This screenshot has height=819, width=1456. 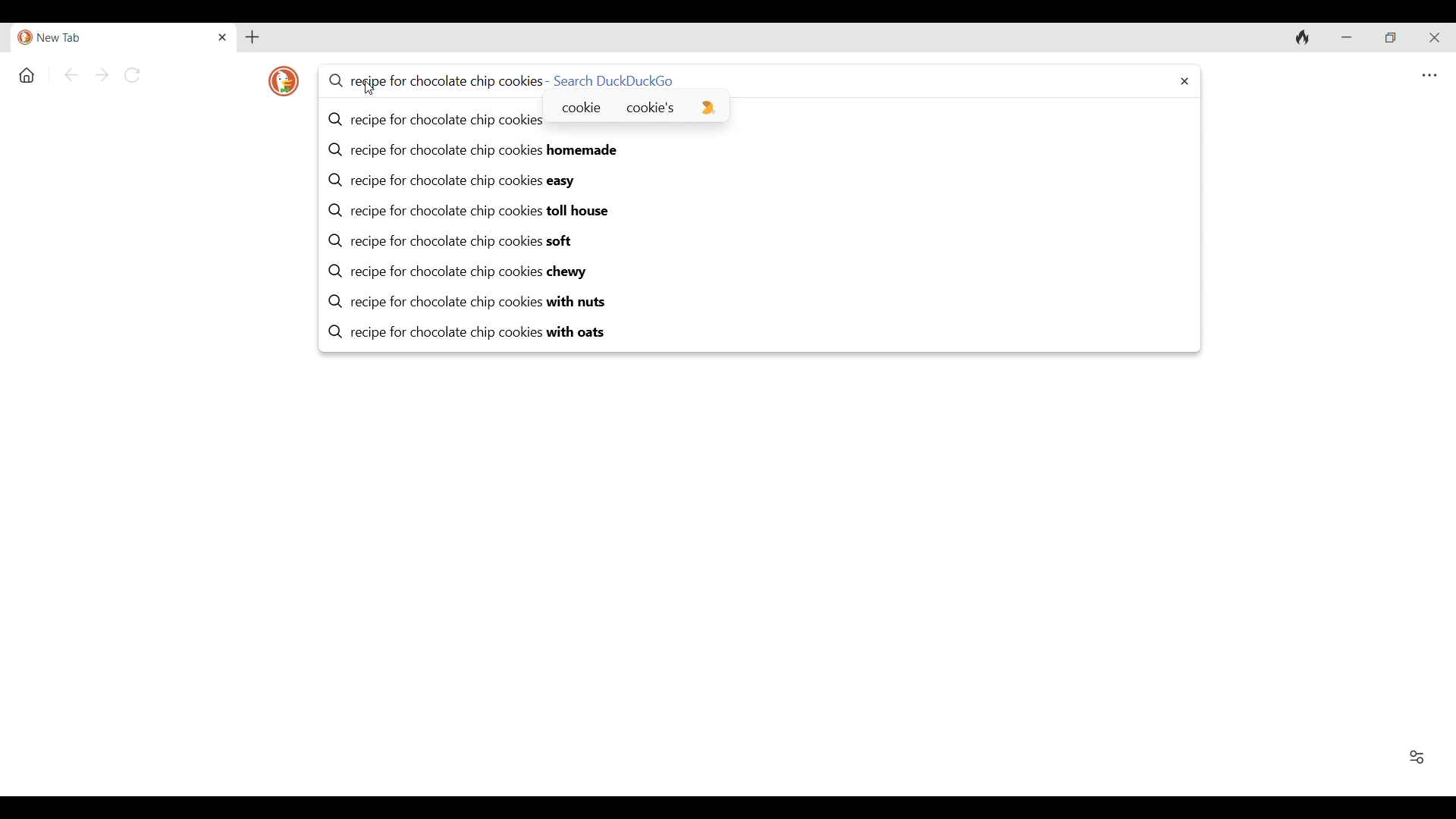 I want to click on Reload page, so click(x=131, y=75).